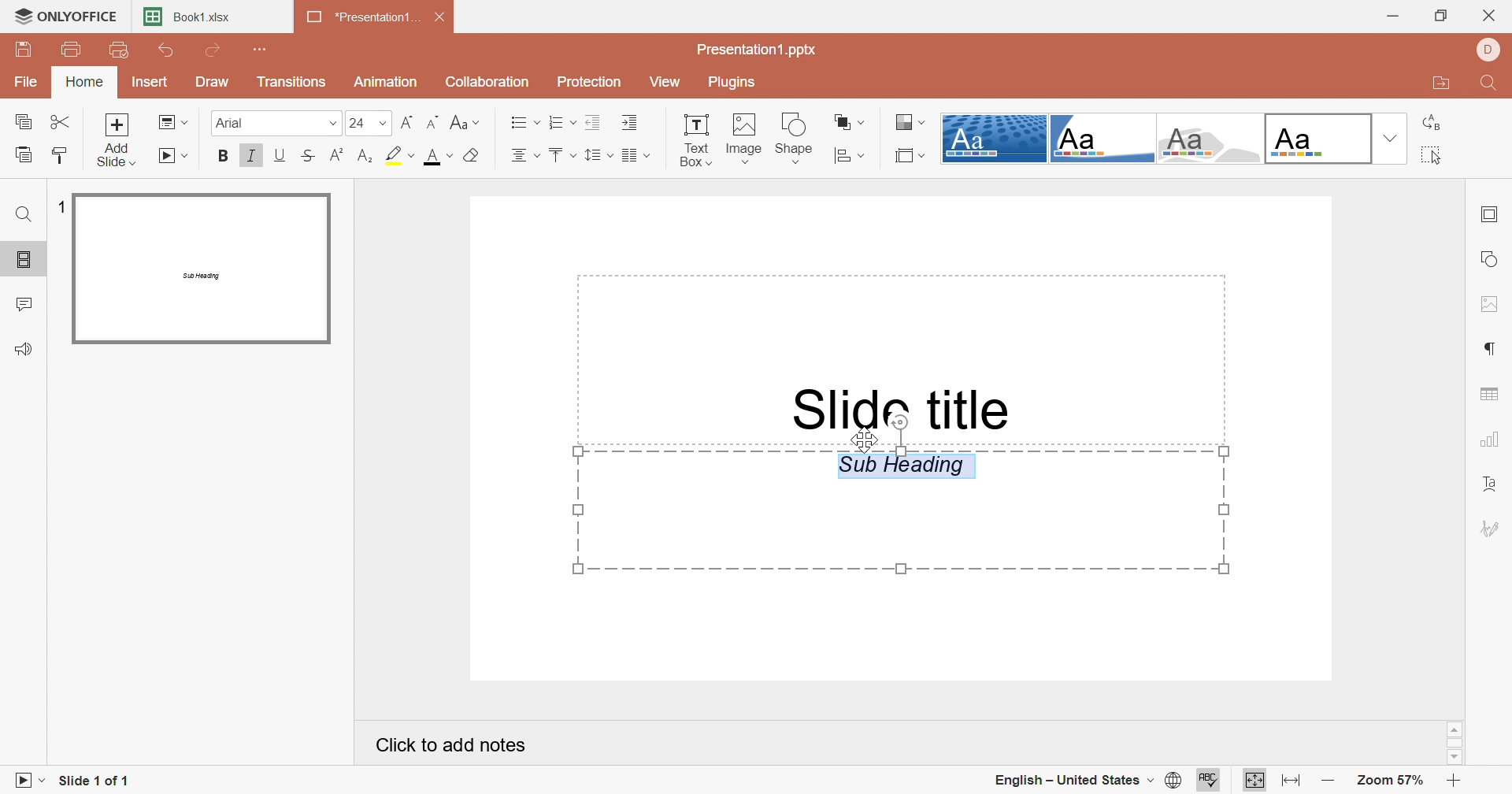 Image resolution: width=1512 pixels, height=794 pixels. What do you see at coordinates (1492, 258) in the screenshot?
I see `Shape settings` at bounding box center [1492, 258].